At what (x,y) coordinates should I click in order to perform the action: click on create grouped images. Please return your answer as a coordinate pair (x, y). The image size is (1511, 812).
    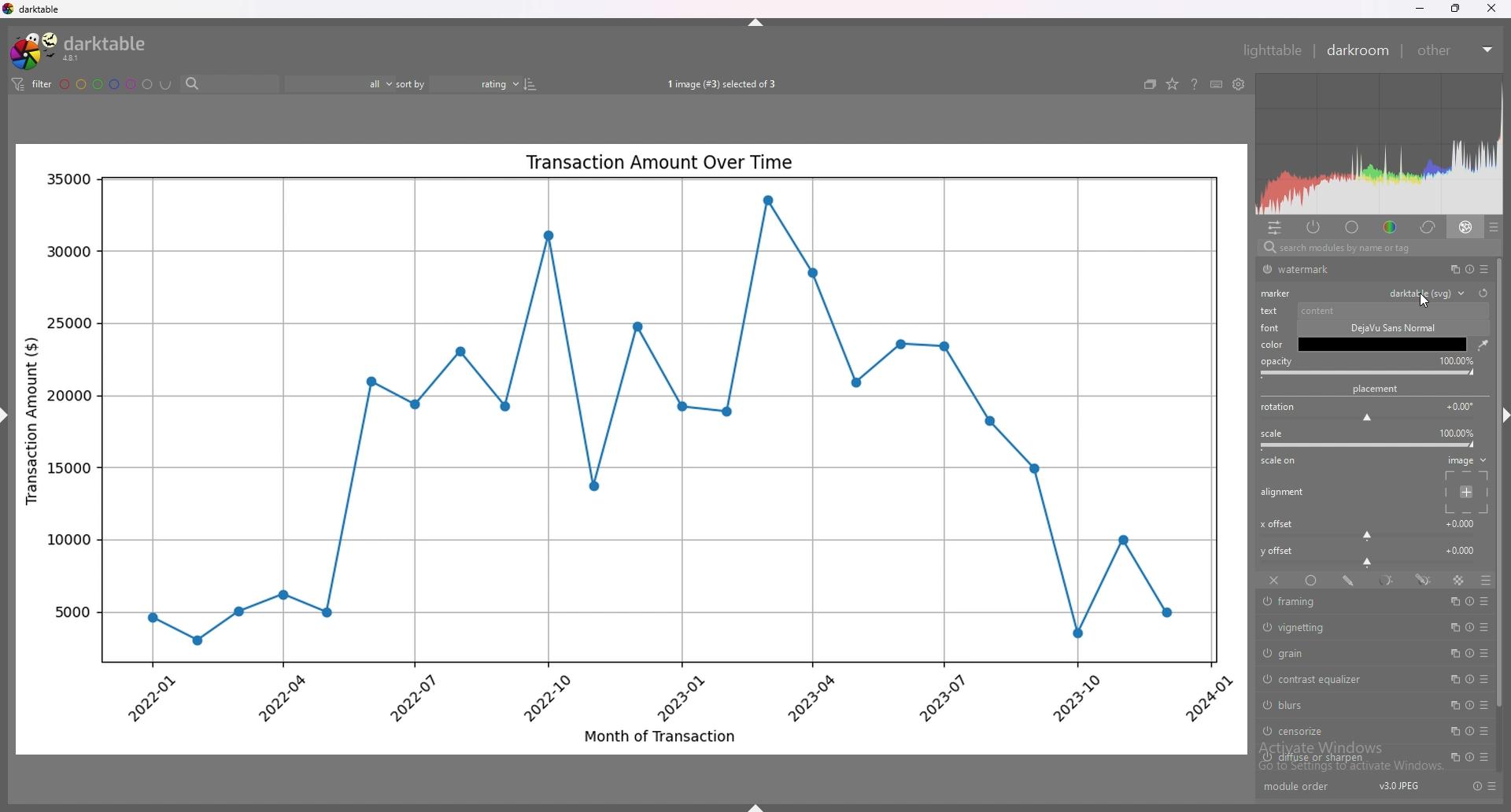
    Looking at the image, I should click on (1151, 84).